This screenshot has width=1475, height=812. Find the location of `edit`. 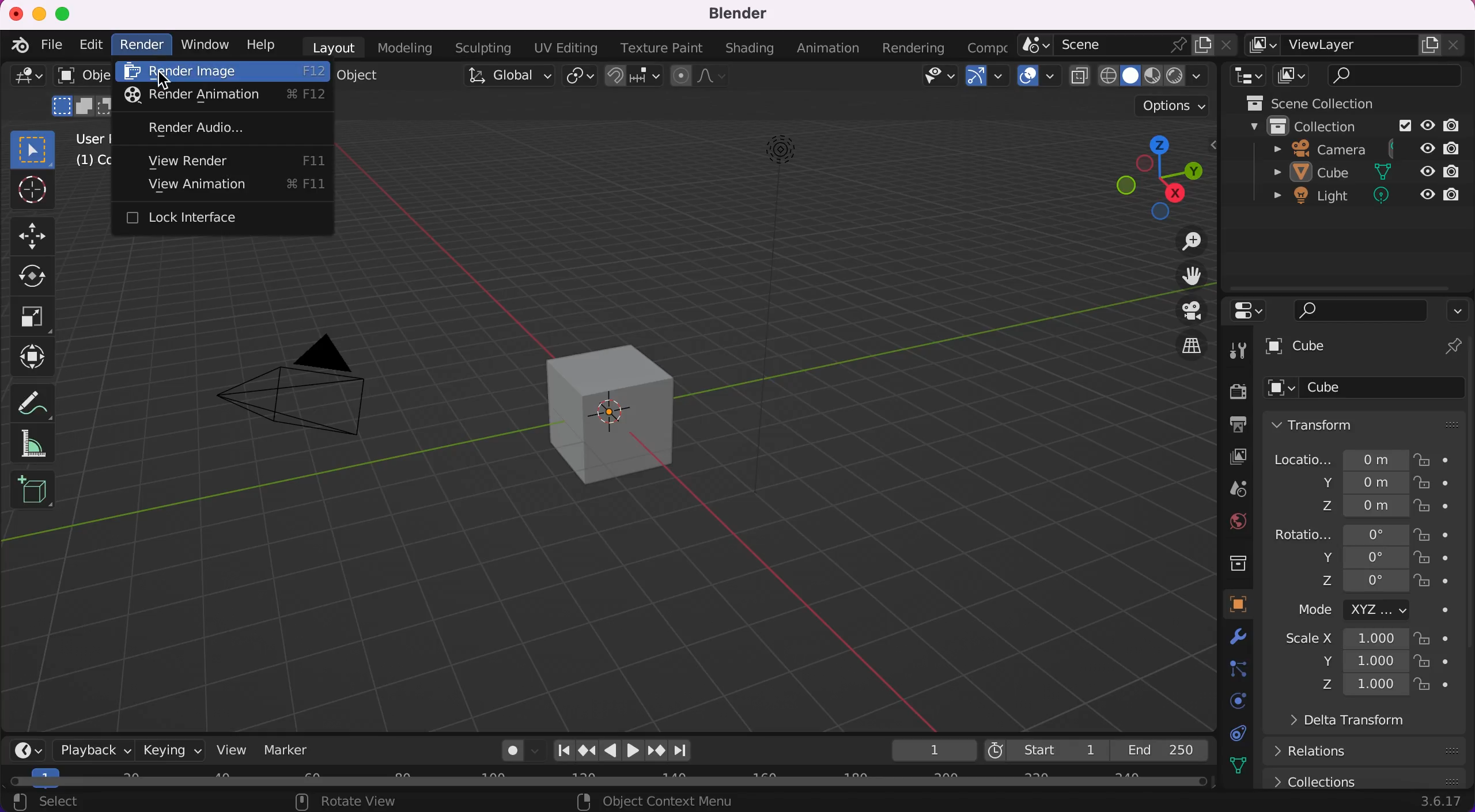

edit is located at coordinates (89, 46).